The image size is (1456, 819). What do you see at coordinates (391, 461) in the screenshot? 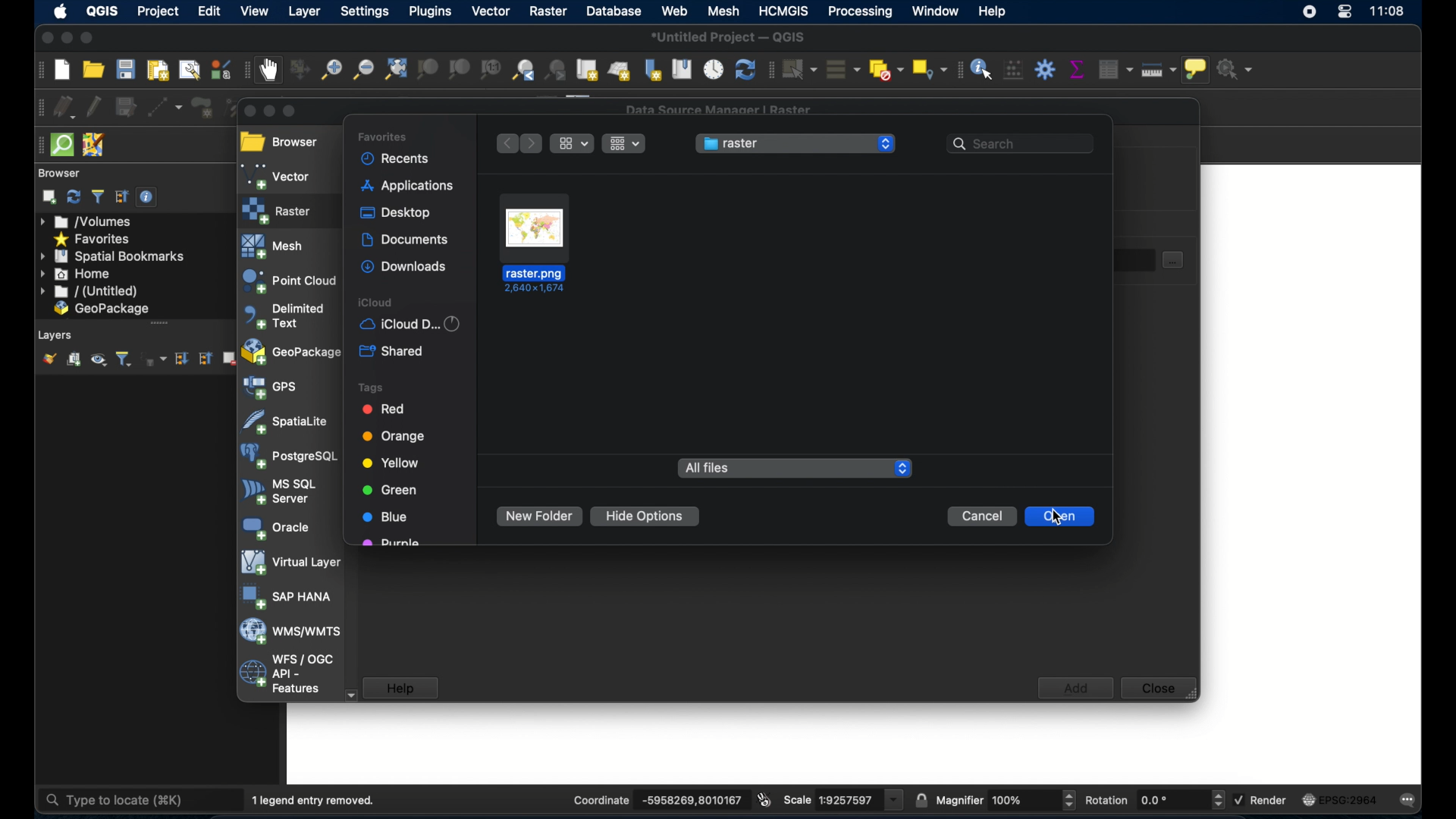
I see `yellow` at bounding box center [391, 461].